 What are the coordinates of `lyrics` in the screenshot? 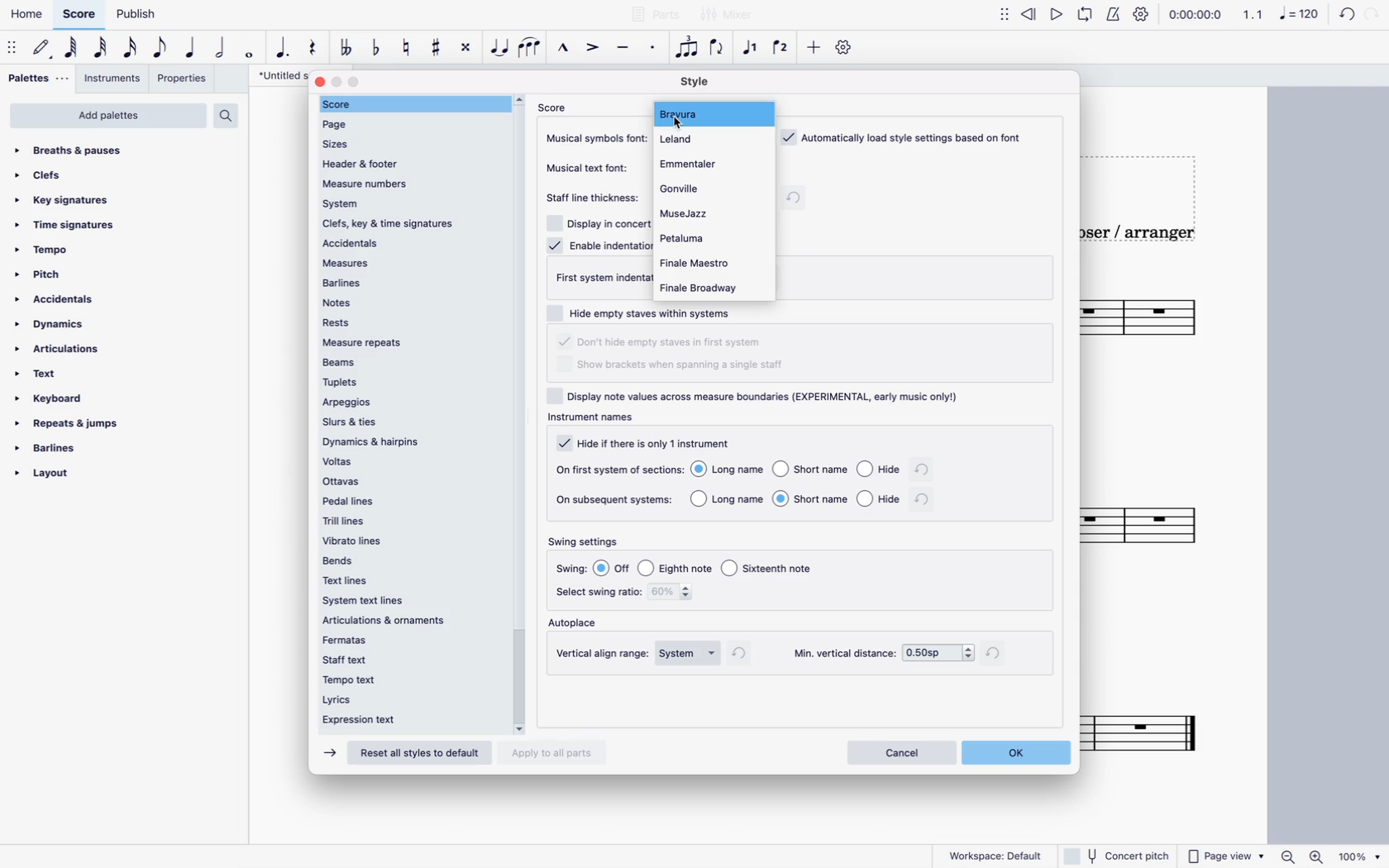 It's located at (406, 701).